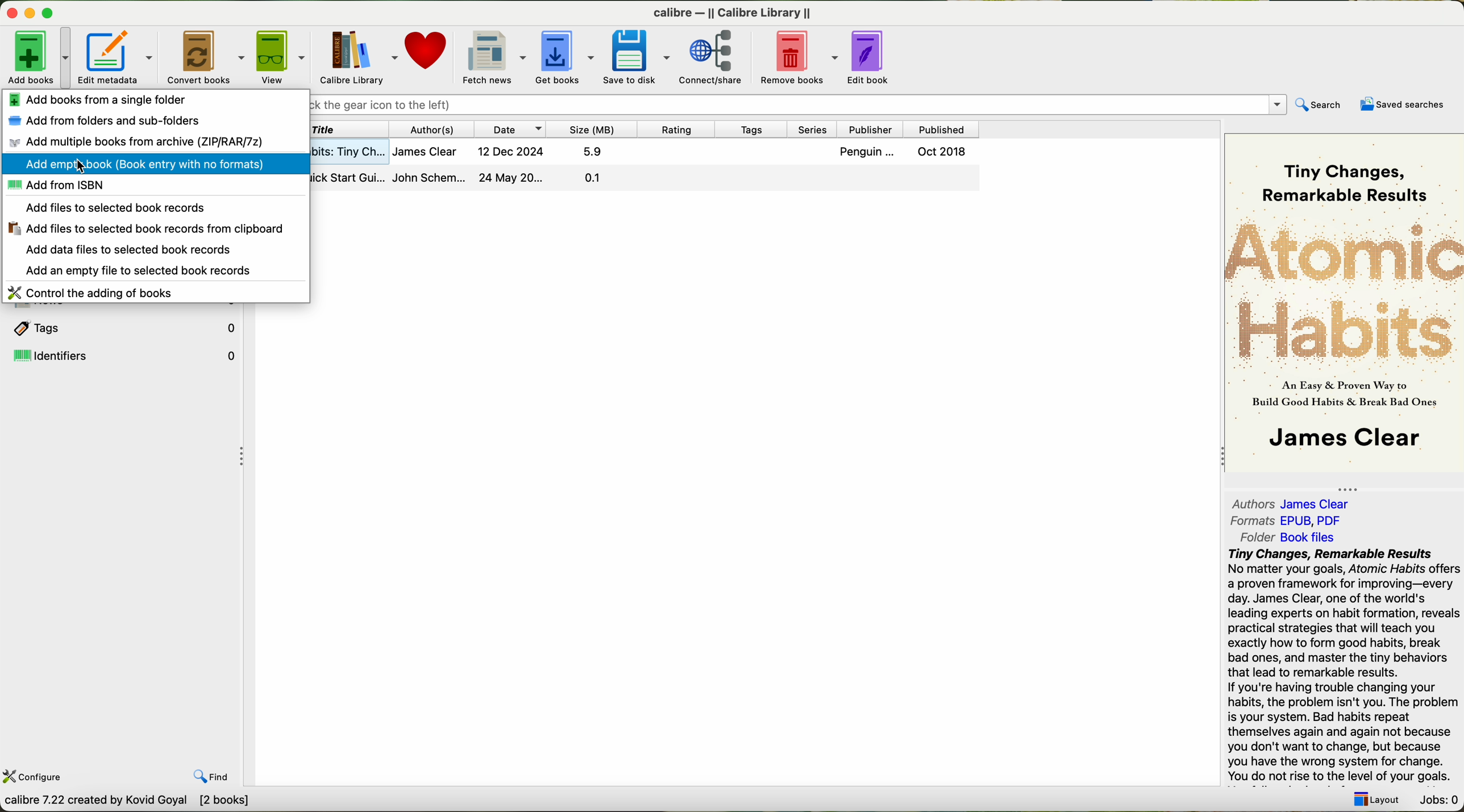 This screenshot has height=812, width=1464. Describe the element at coordinates (28, 11) in the screenshot. I see `minimize program` at that location.